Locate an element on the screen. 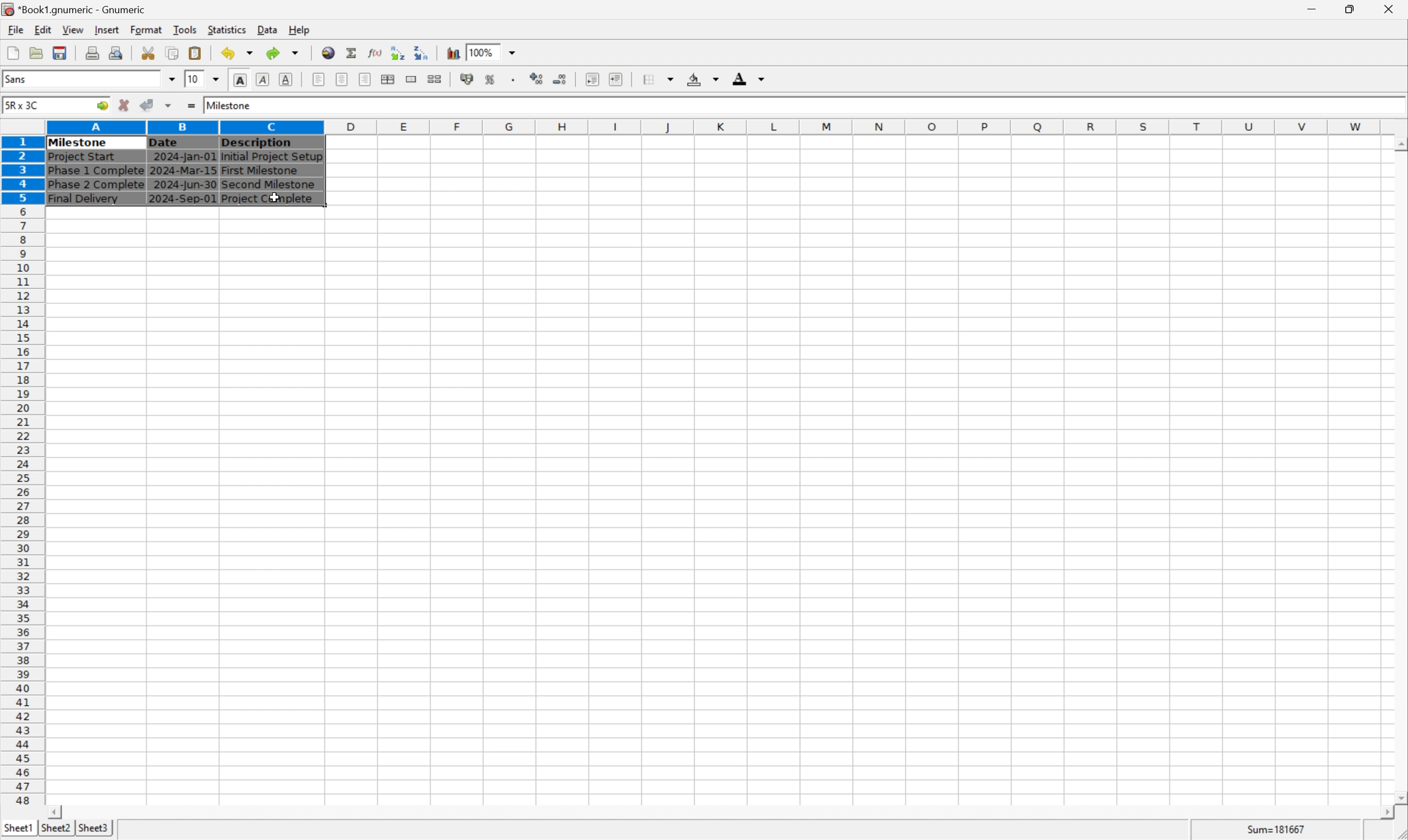 This screenshot has height=840, width=1408. increase indent is located at coordinates (619, 79).